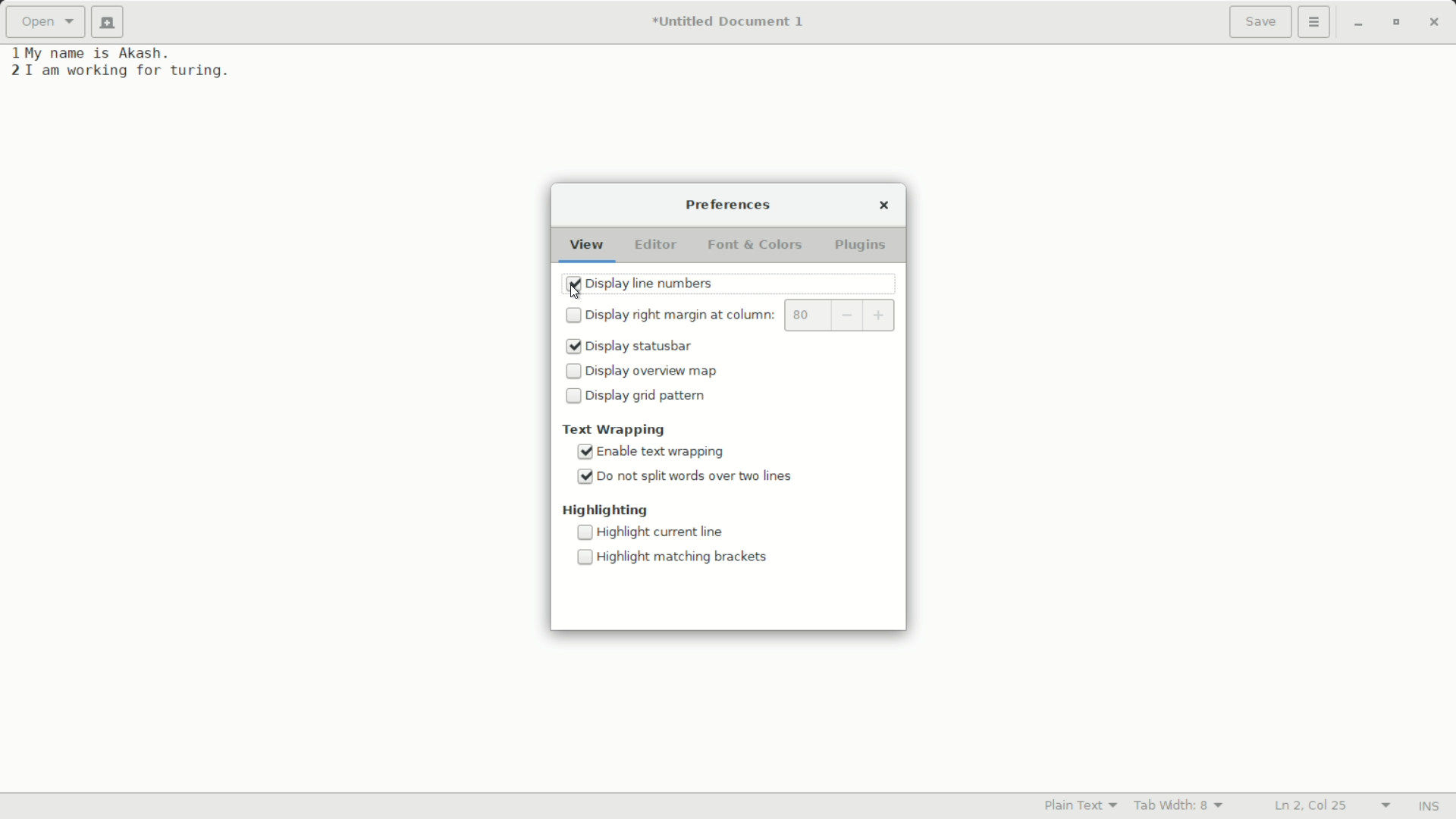 This screenshot has width=1456, height=819. I want to click on highlighting current file, so click(667, 532).